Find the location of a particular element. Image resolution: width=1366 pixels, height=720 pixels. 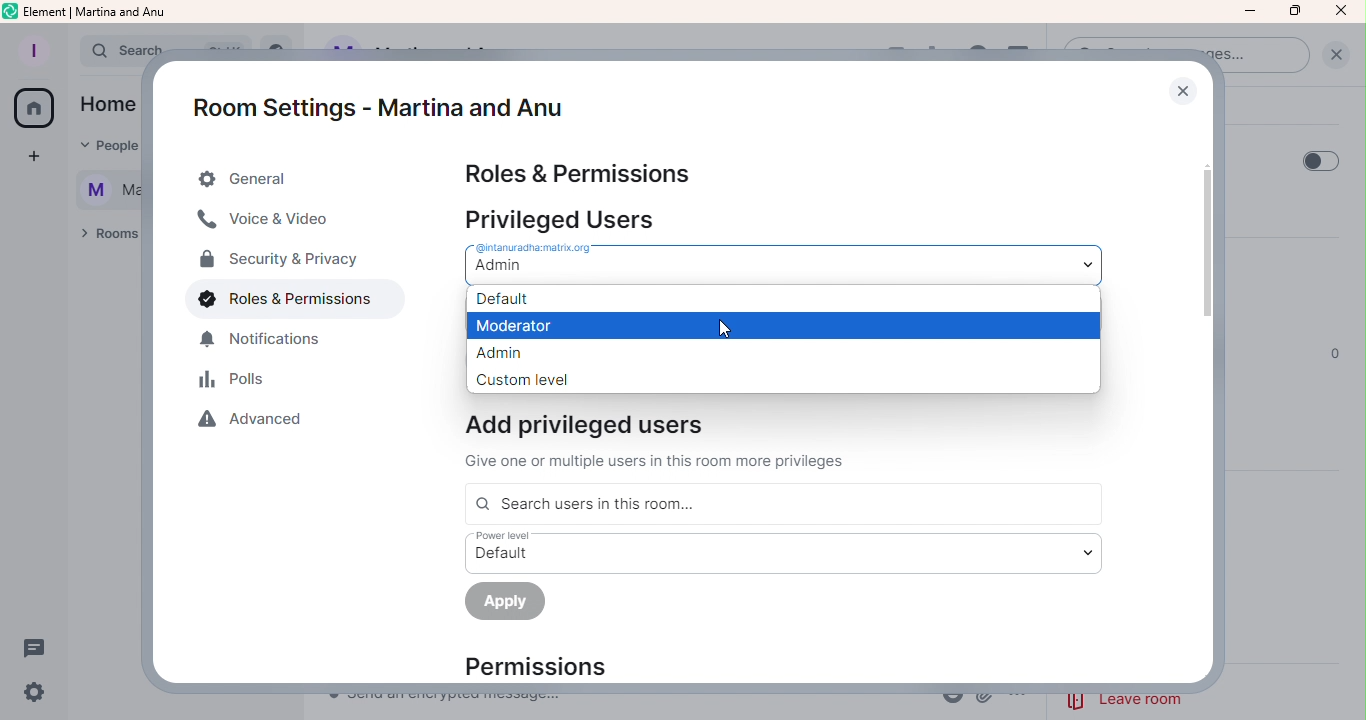

Advanced is located at coordinates (259, 424).